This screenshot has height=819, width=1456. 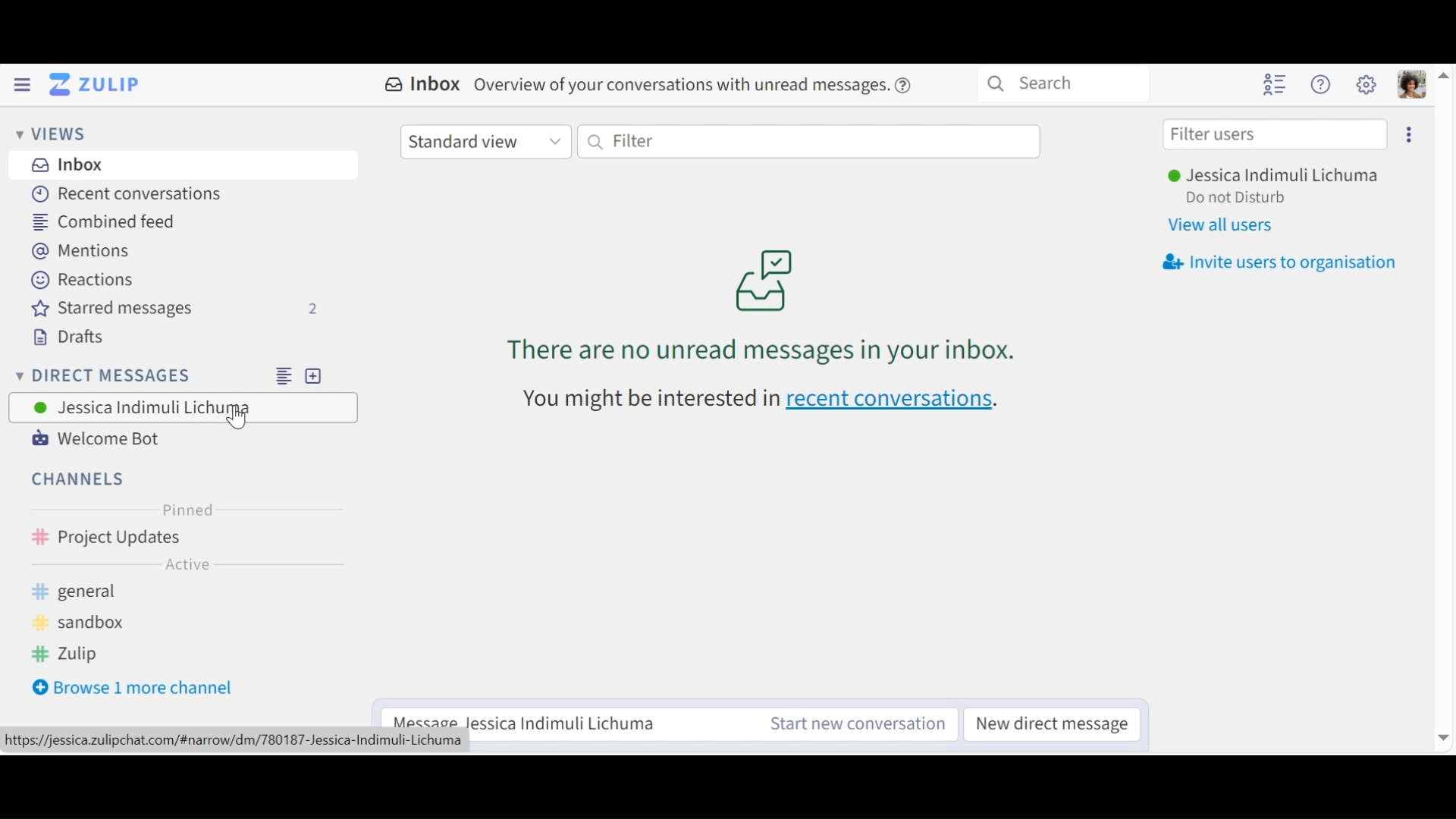 I want to click on sandbox, so click(x=86, y=623).